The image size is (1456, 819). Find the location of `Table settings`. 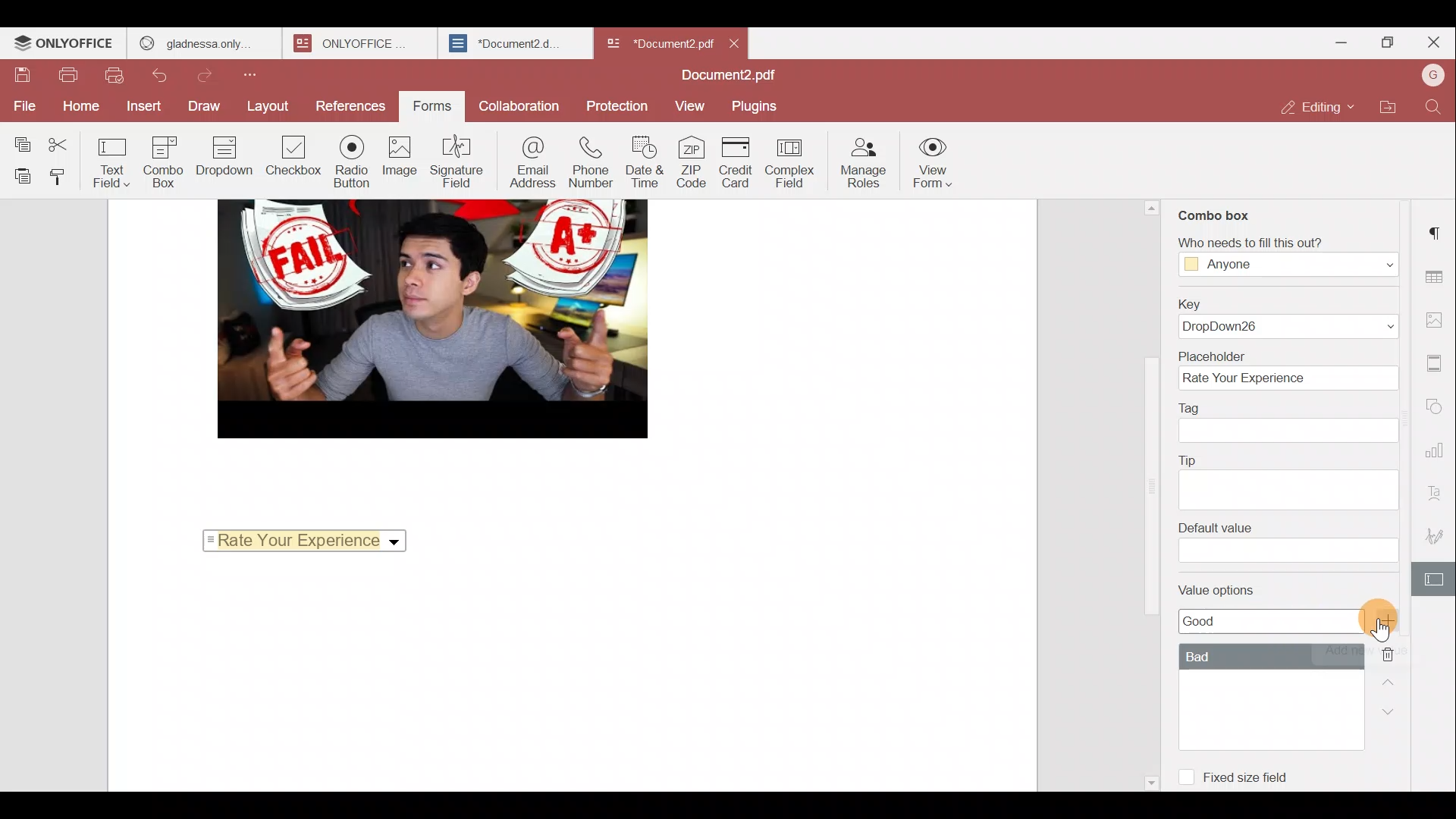

Table settings is located at coordinates (1439, 277).